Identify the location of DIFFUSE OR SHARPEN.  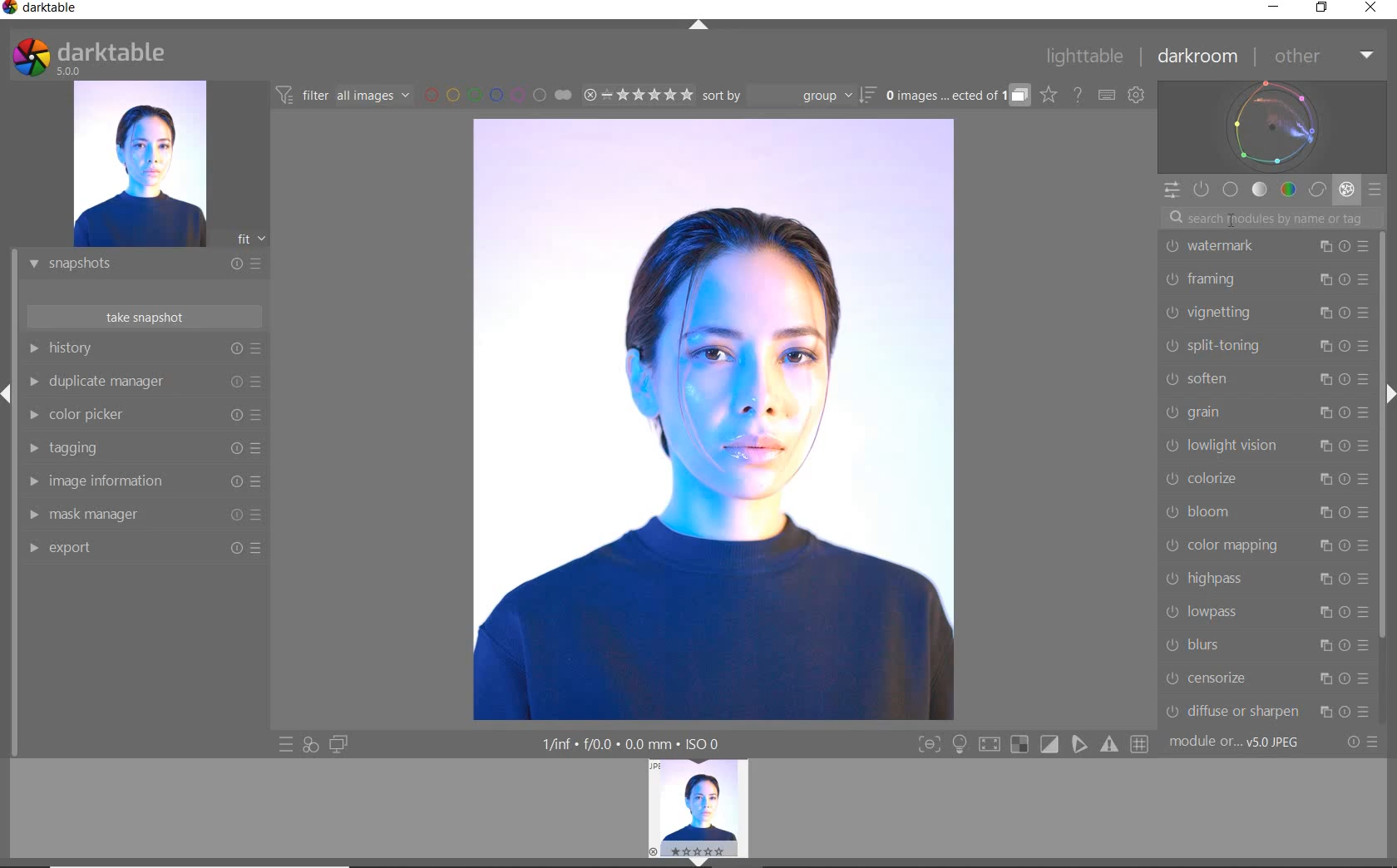
(1267, 711).